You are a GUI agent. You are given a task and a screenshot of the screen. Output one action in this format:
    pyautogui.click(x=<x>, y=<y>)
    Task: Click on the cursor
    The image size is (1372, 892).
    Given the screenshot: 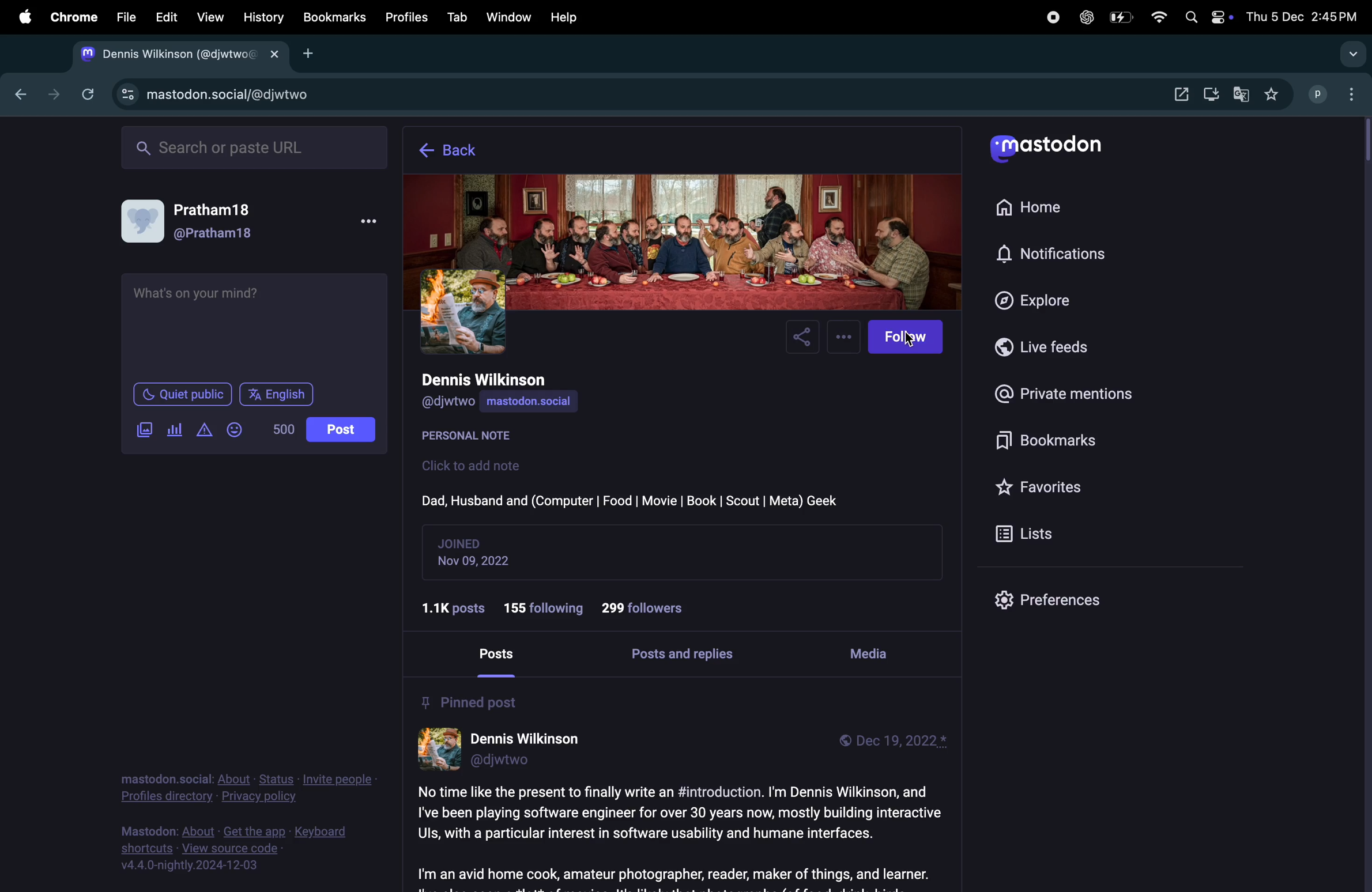 What is the action you would take?
    pyautogui.click(x=909, y=342)
    